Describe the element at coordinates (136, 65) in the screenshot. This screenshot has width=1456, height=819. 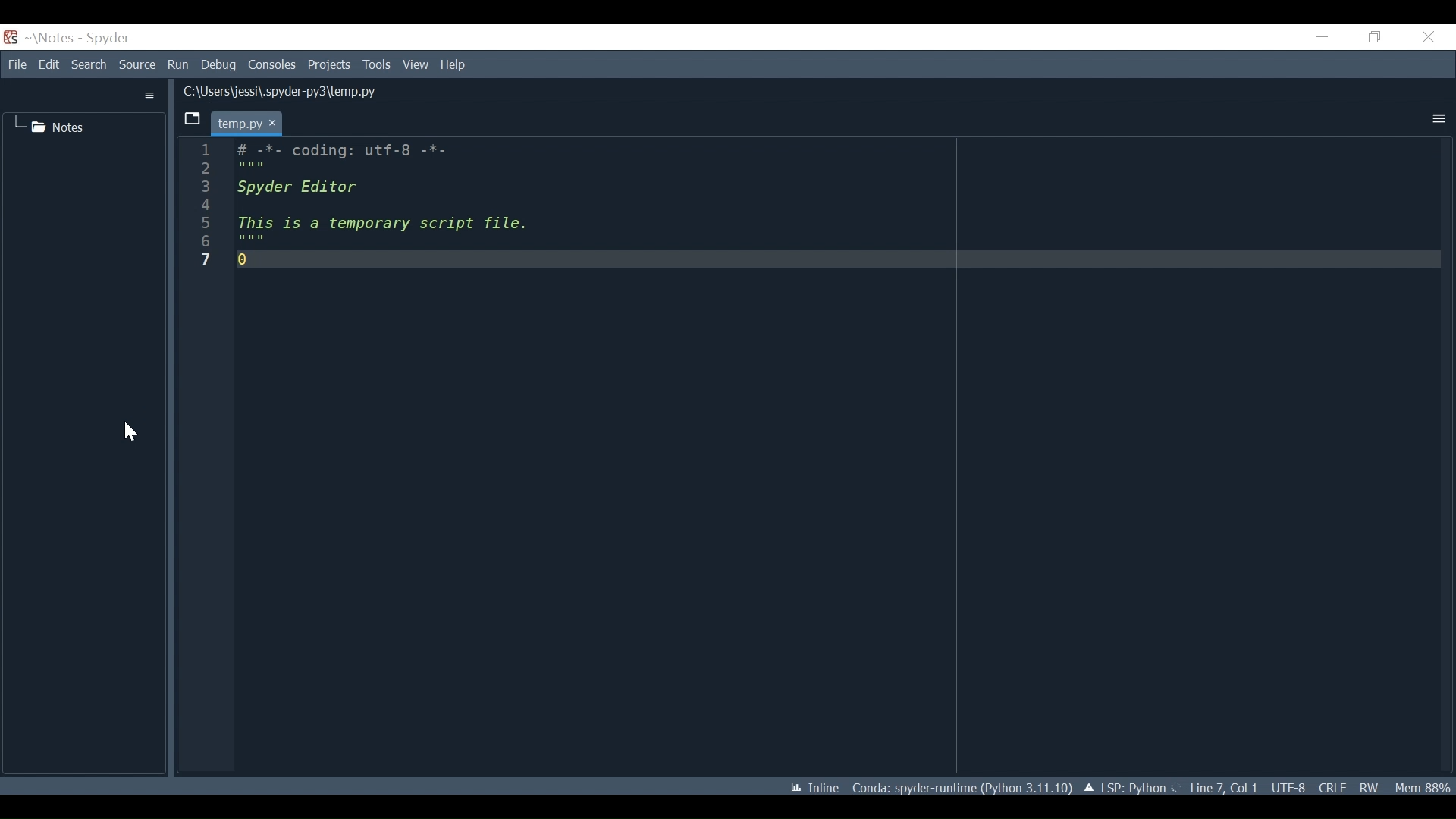
I see `Source` at that location.